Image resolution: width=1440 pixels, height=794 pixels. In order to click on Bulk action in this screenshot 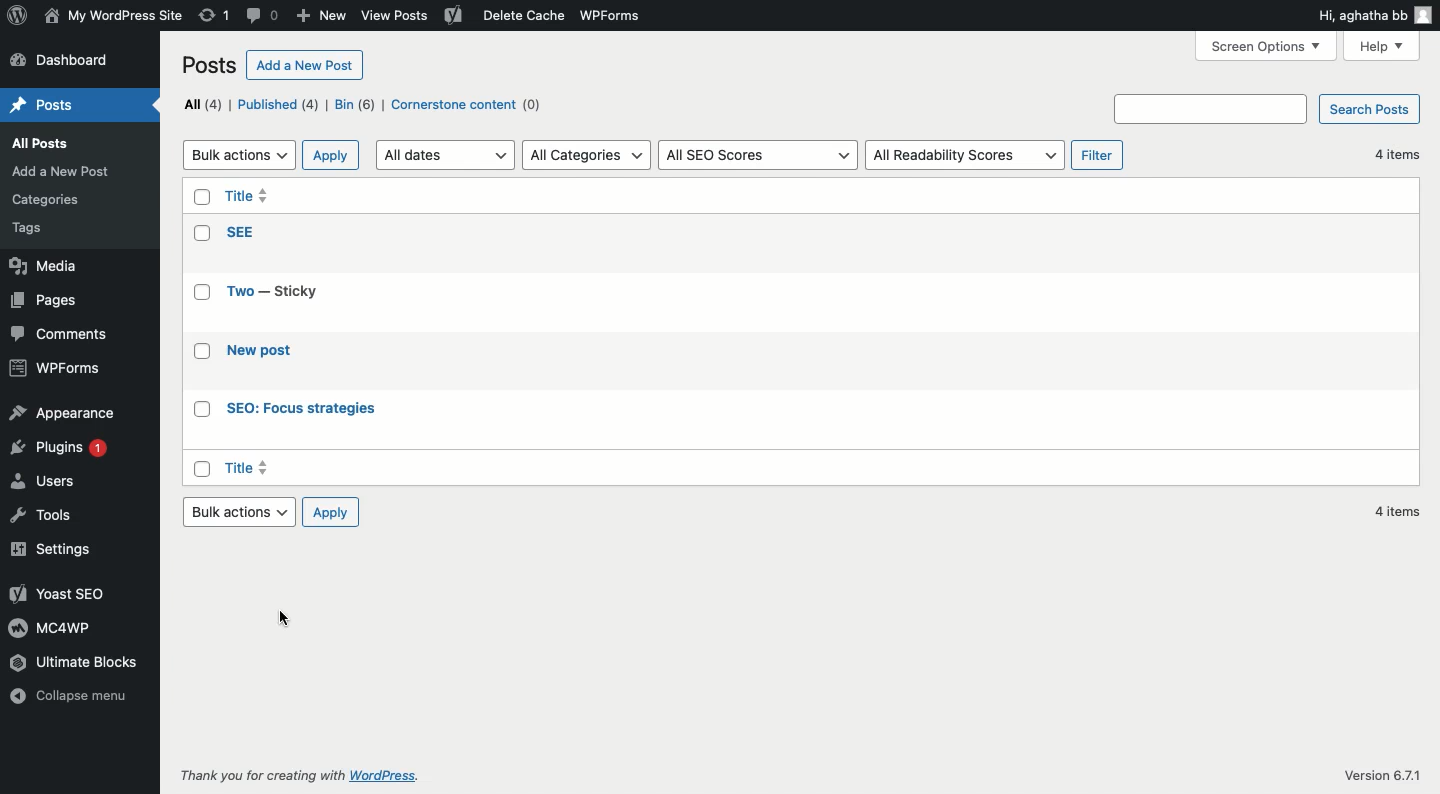, I will do `click(238, 512)`.